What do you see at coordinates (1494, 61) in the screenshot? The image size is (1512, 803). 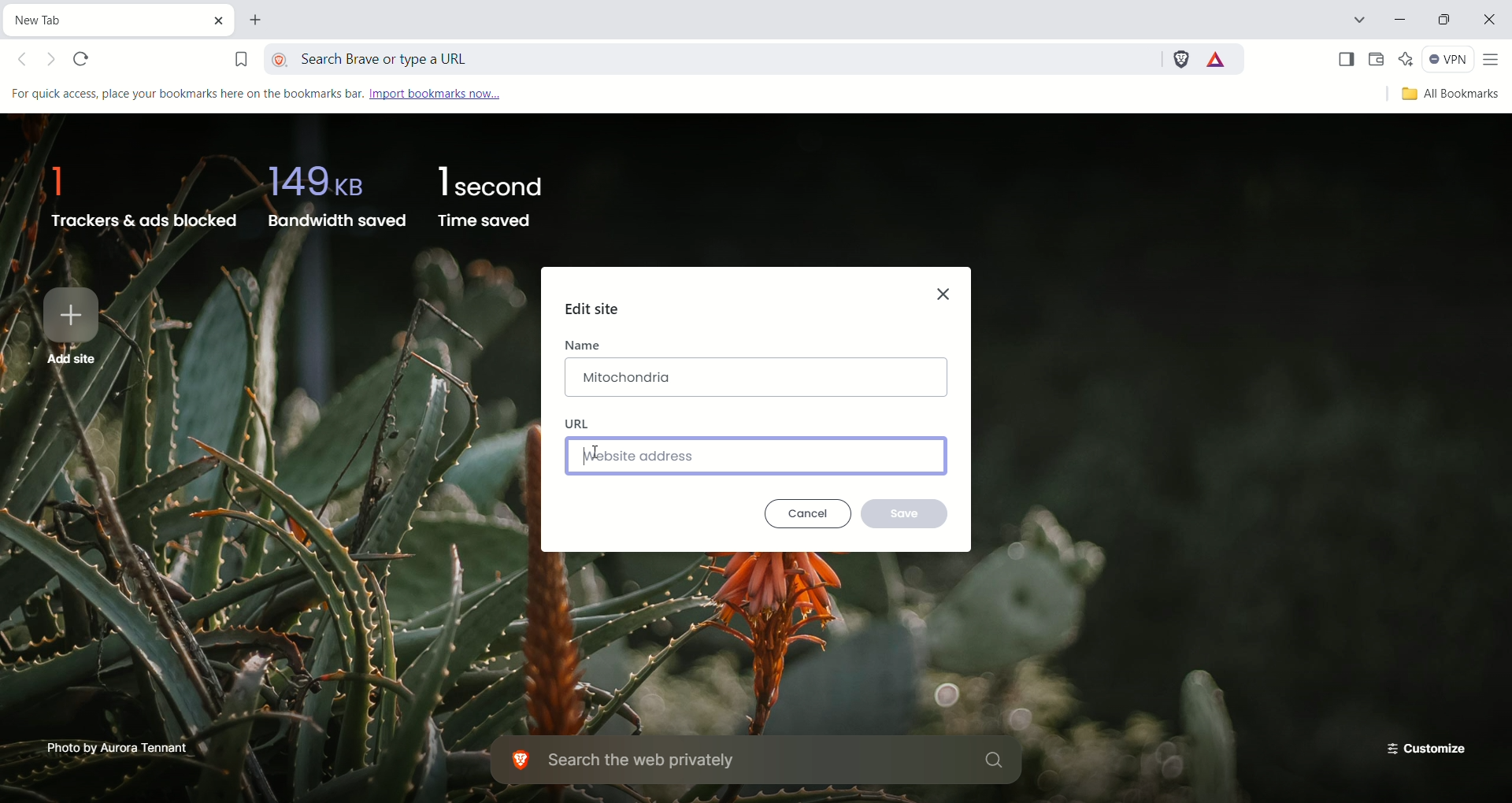 I see `customize and control brave` at bounding box center [1494, 61].